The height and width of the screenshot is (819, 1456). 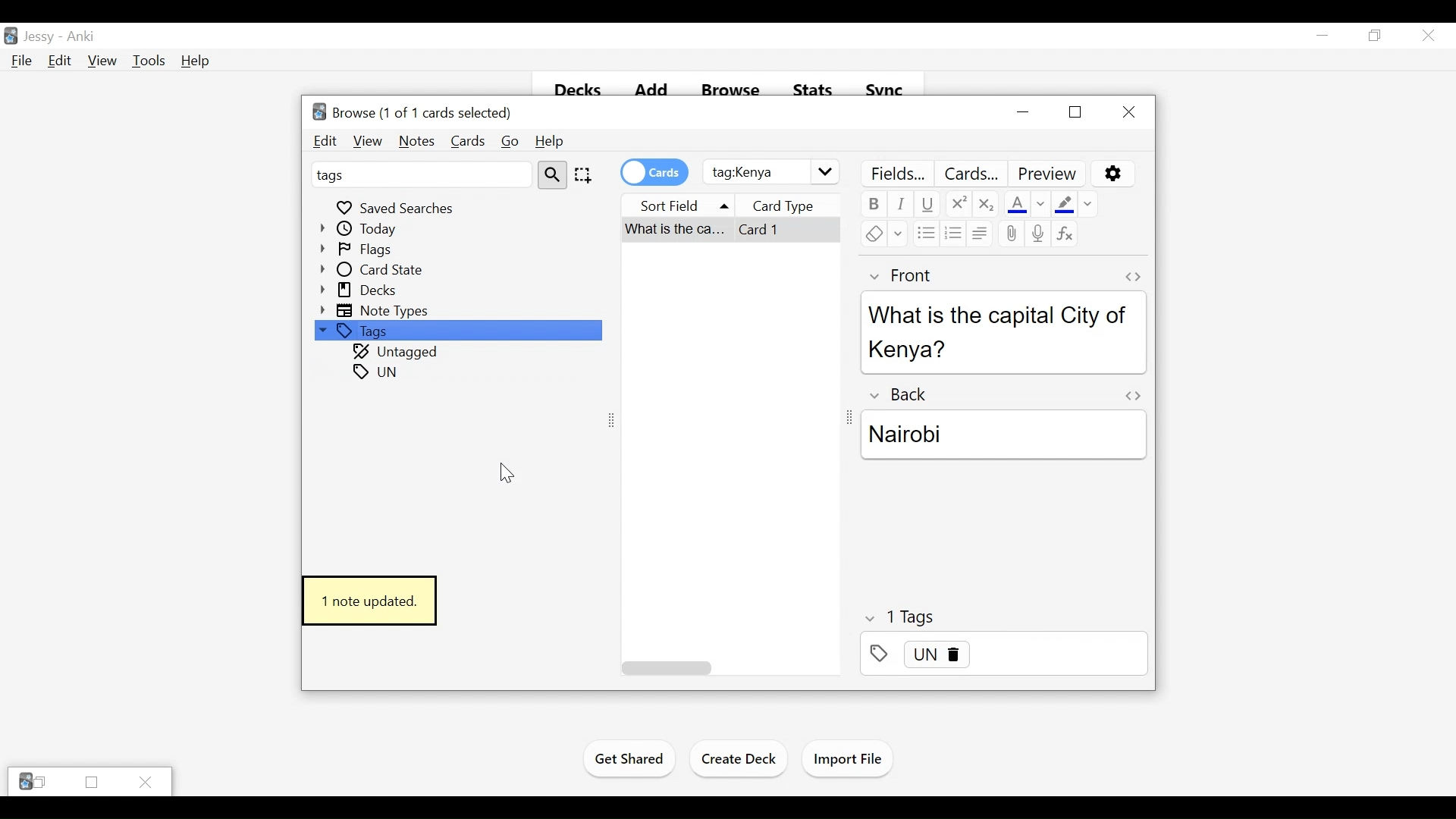 What do you see at coordinates (1426, 36) in the screenshot?
I see `Close` at bounding box center [1426, 36].